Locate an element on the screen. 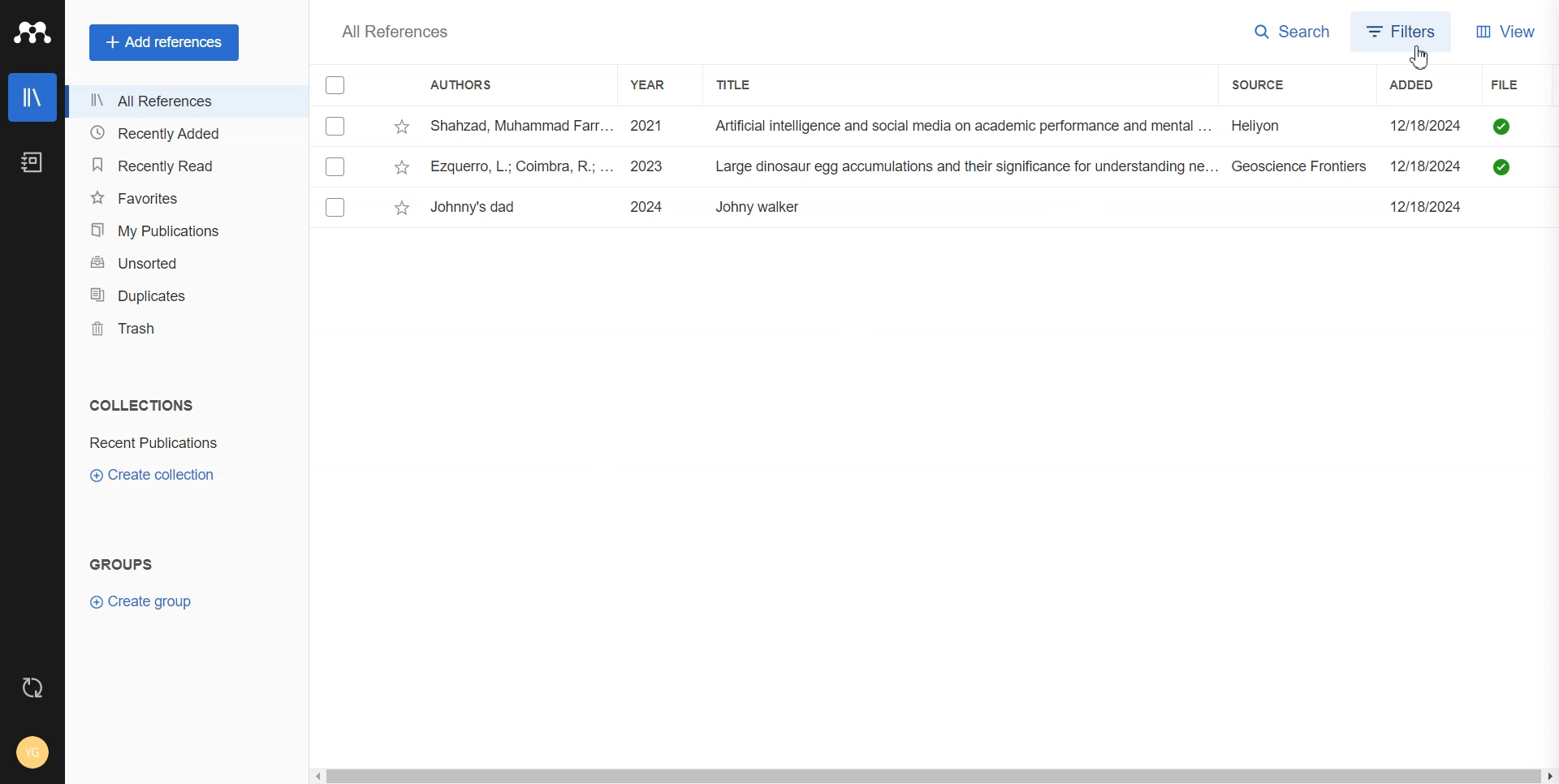 This screenshot has width=1559, height=784. select entry is located at coordinates (336, 207).